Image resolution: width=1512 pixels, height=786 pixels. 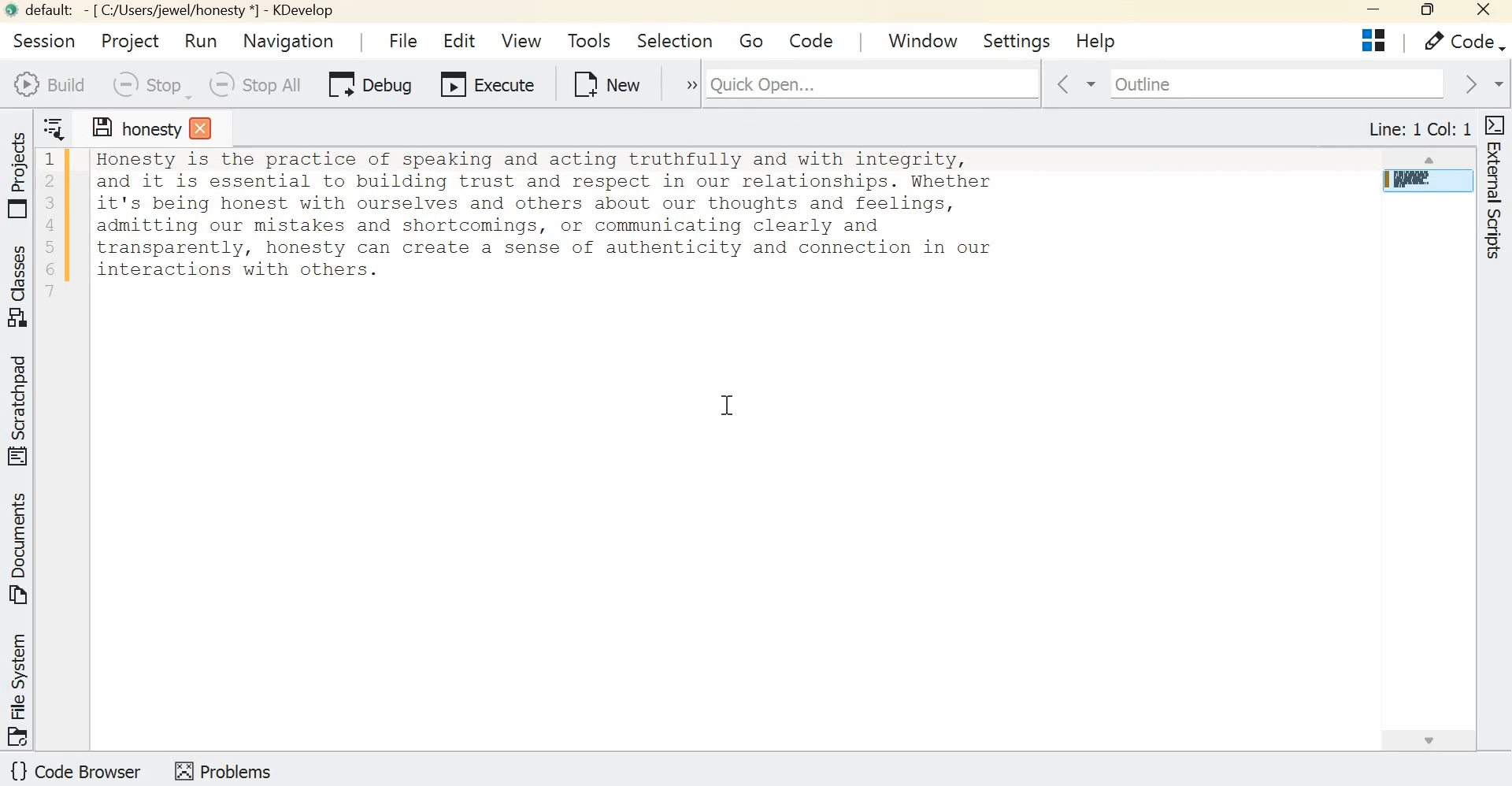 I want to click on Line: 1 Col: 1, so click(x=1418, y=125).